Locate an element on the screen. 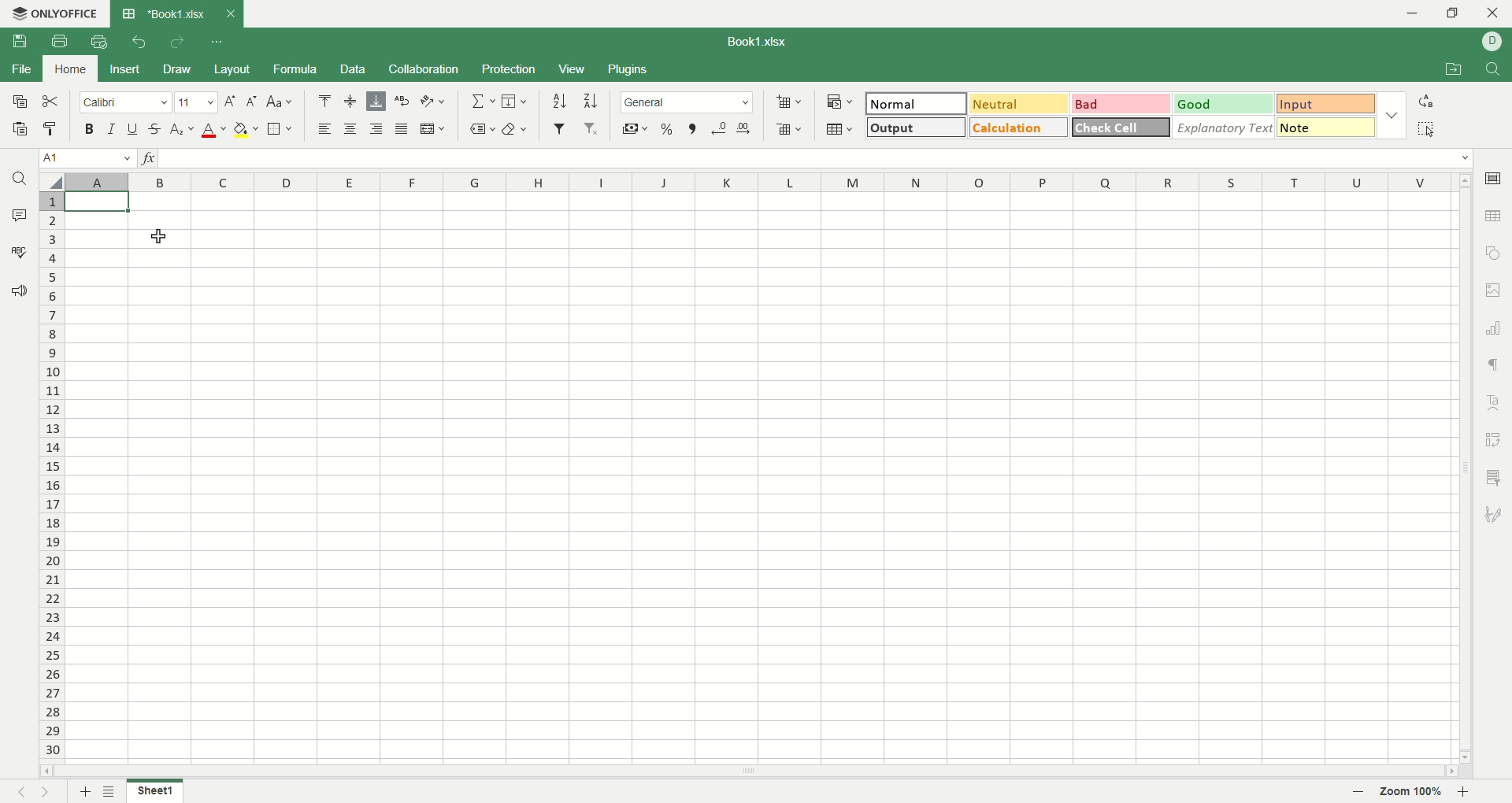 This screenshot has width=1512, height=803. insert is located at coordinates (121, 70).